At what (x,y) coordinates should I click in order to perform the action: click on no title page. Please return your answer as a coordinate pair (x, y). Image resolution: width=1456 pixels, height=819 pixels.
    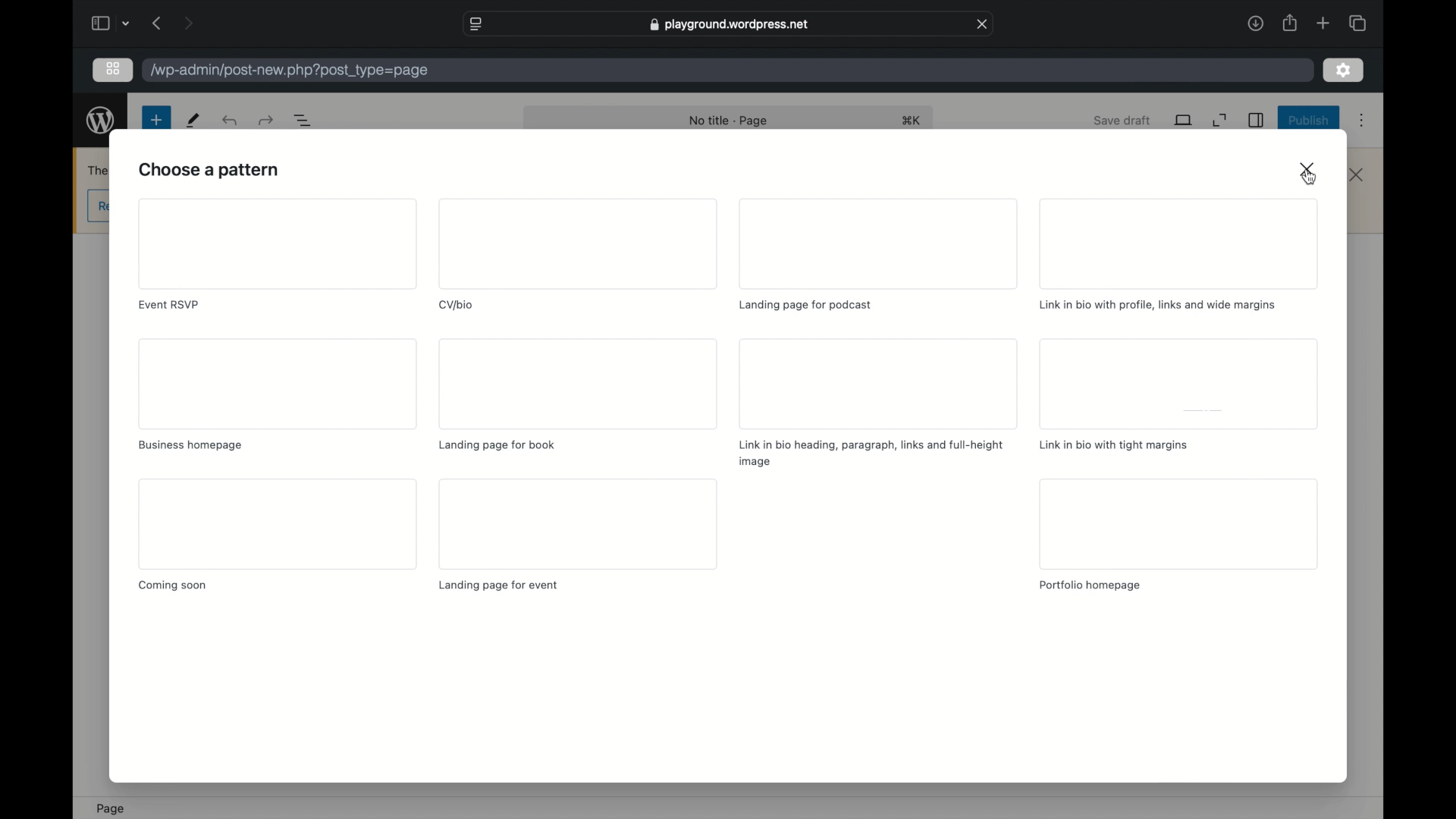
    Looking at the image, I should click on (730, 120).